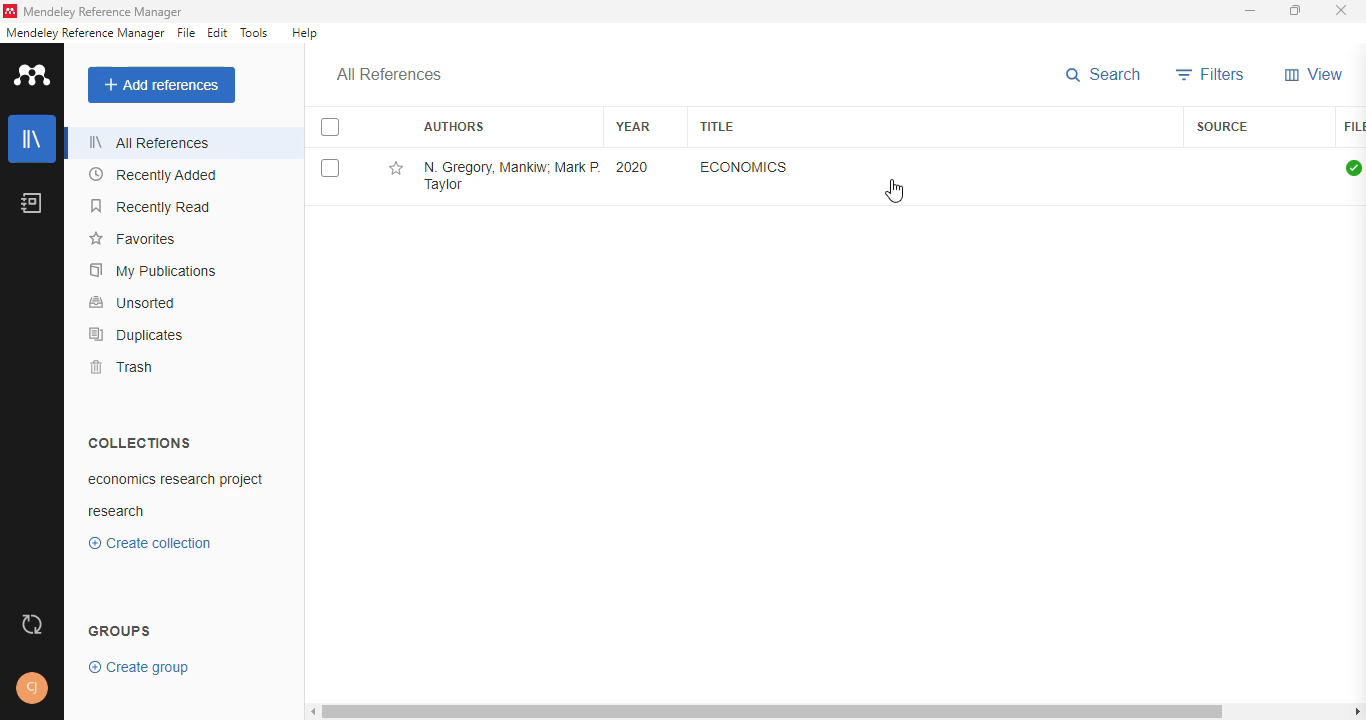 This screenshot has width=1366, height=720. What do you see at coordinates (32, 138) in the screenshot?
I see `library` at bounding box center [32, 138].